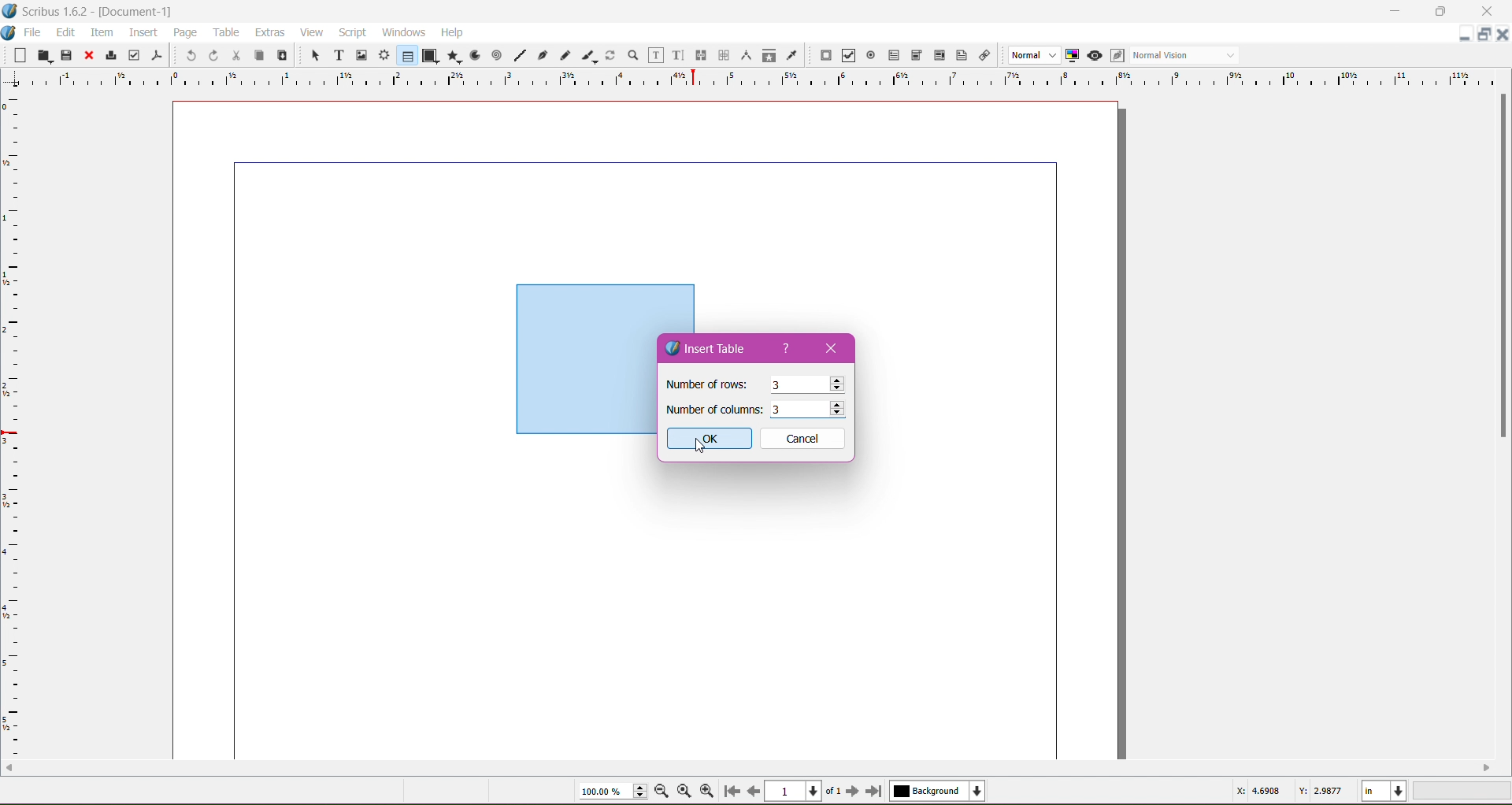  What do you see at coordinates (941, 791) in the screenshot?
I see `Background` at bounding box center [941, 791].